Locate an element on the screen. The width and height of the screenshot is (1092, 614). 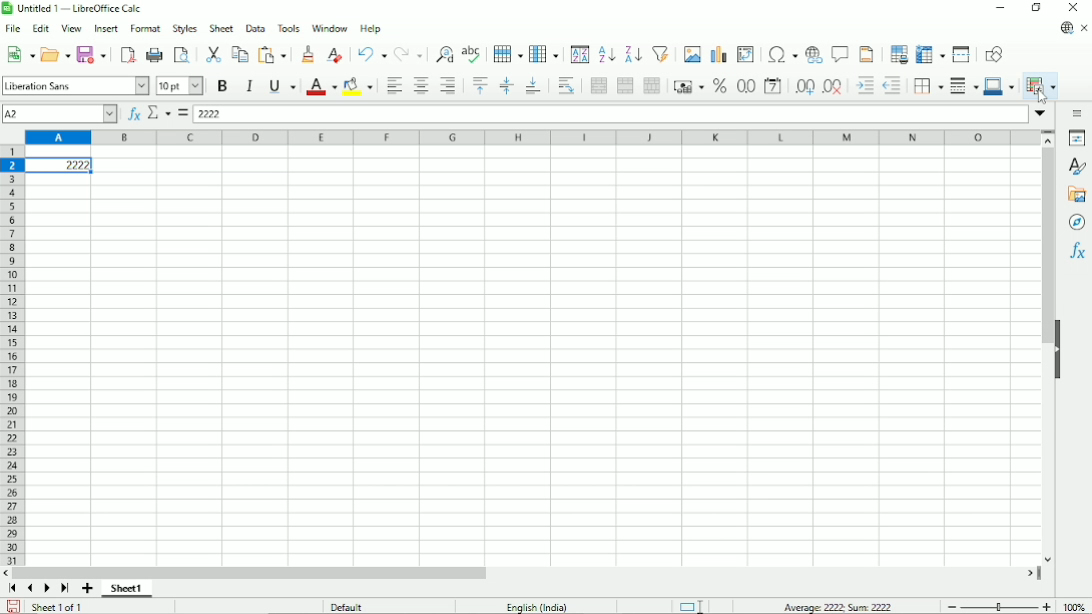
Split window is located at coordinates (961, 54).